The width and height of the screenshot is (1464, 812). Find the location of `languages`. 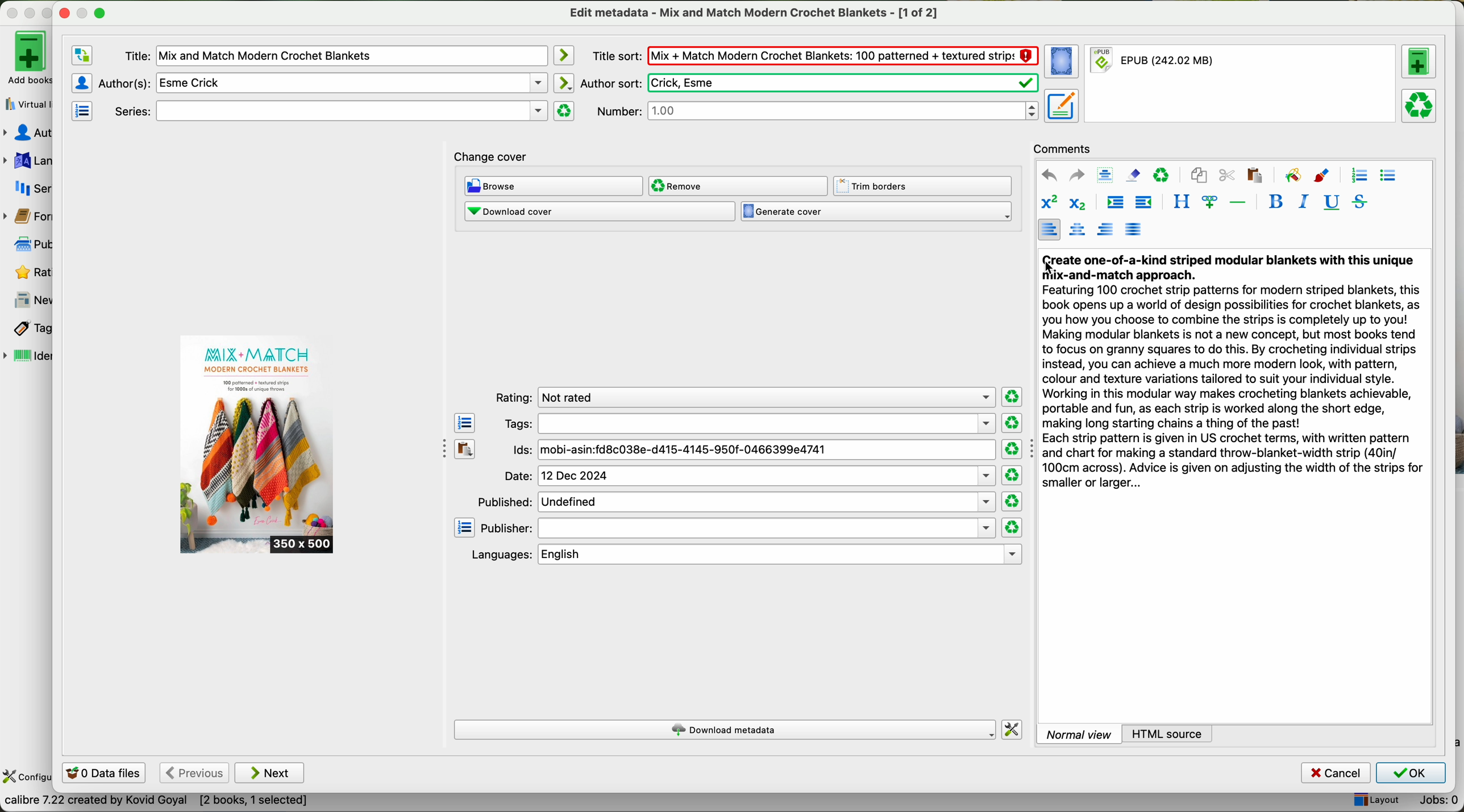

languages is located at coordinates (744, 555).